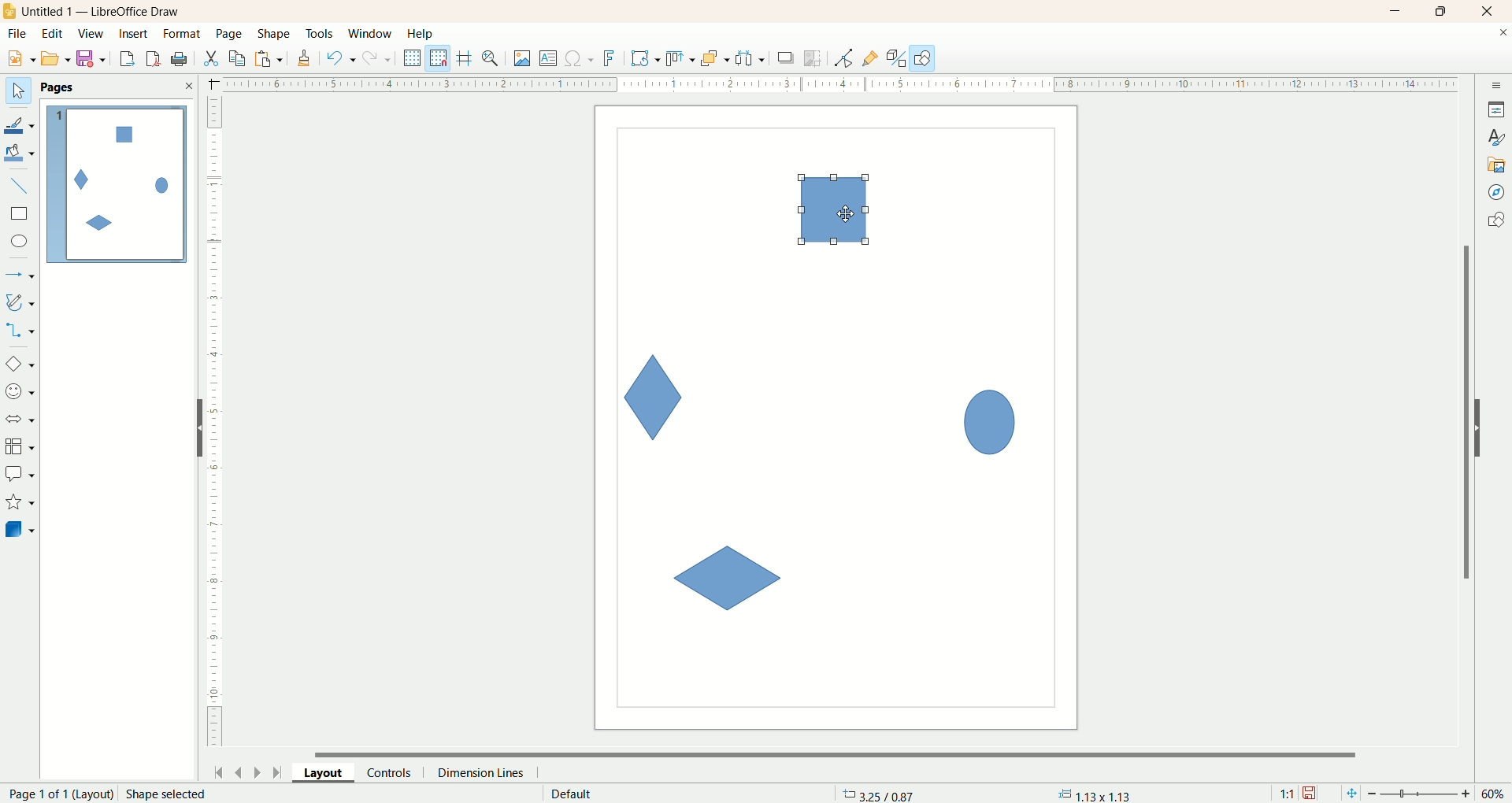 The height and width of the screenshot is (803, 1512). What do you see at coordinates (20, 447) in the screenshot?
I see `flowchart` at bounding box center [20, 447].